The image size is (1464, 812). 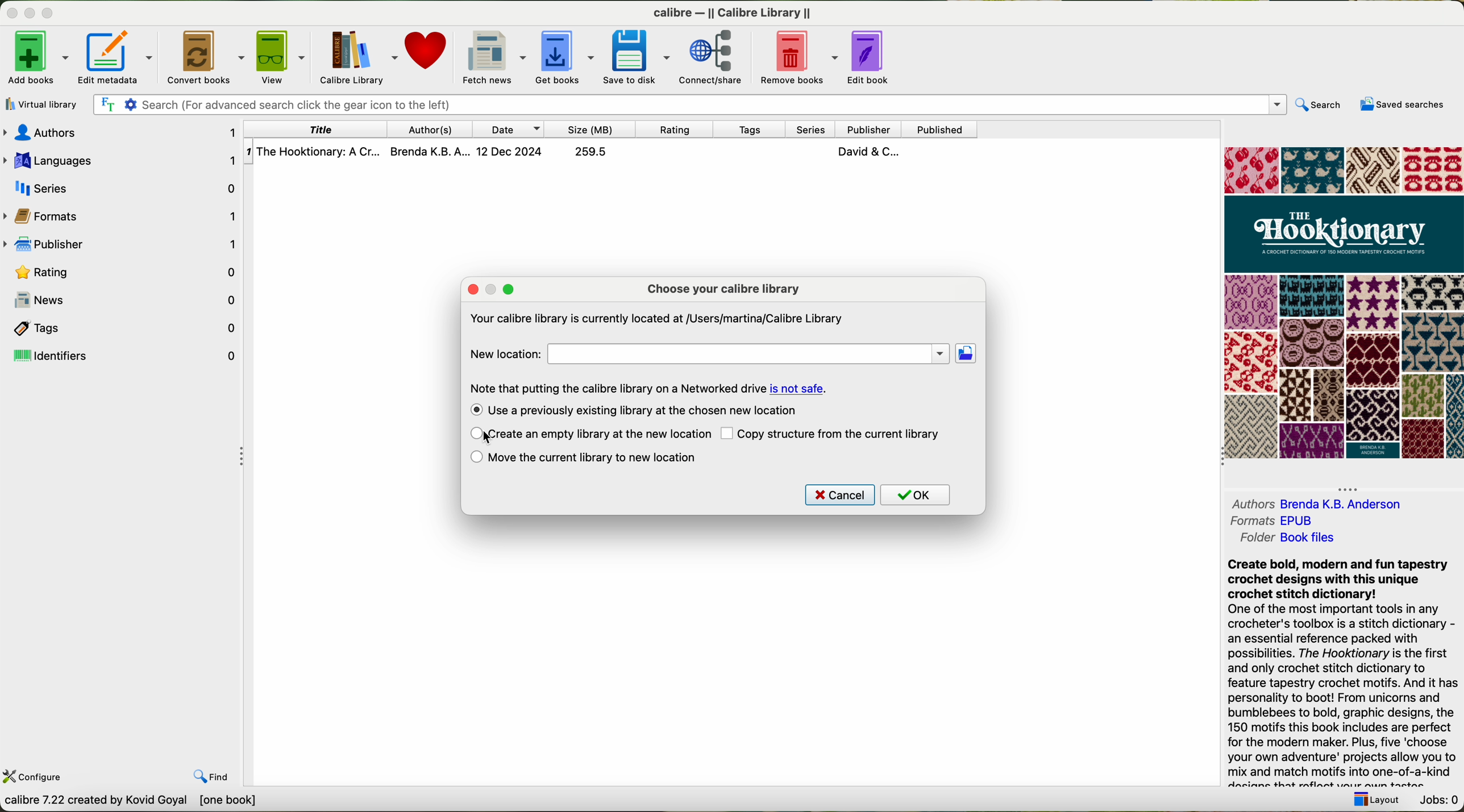 I want to click on search bar, so click(x=718, y=105).